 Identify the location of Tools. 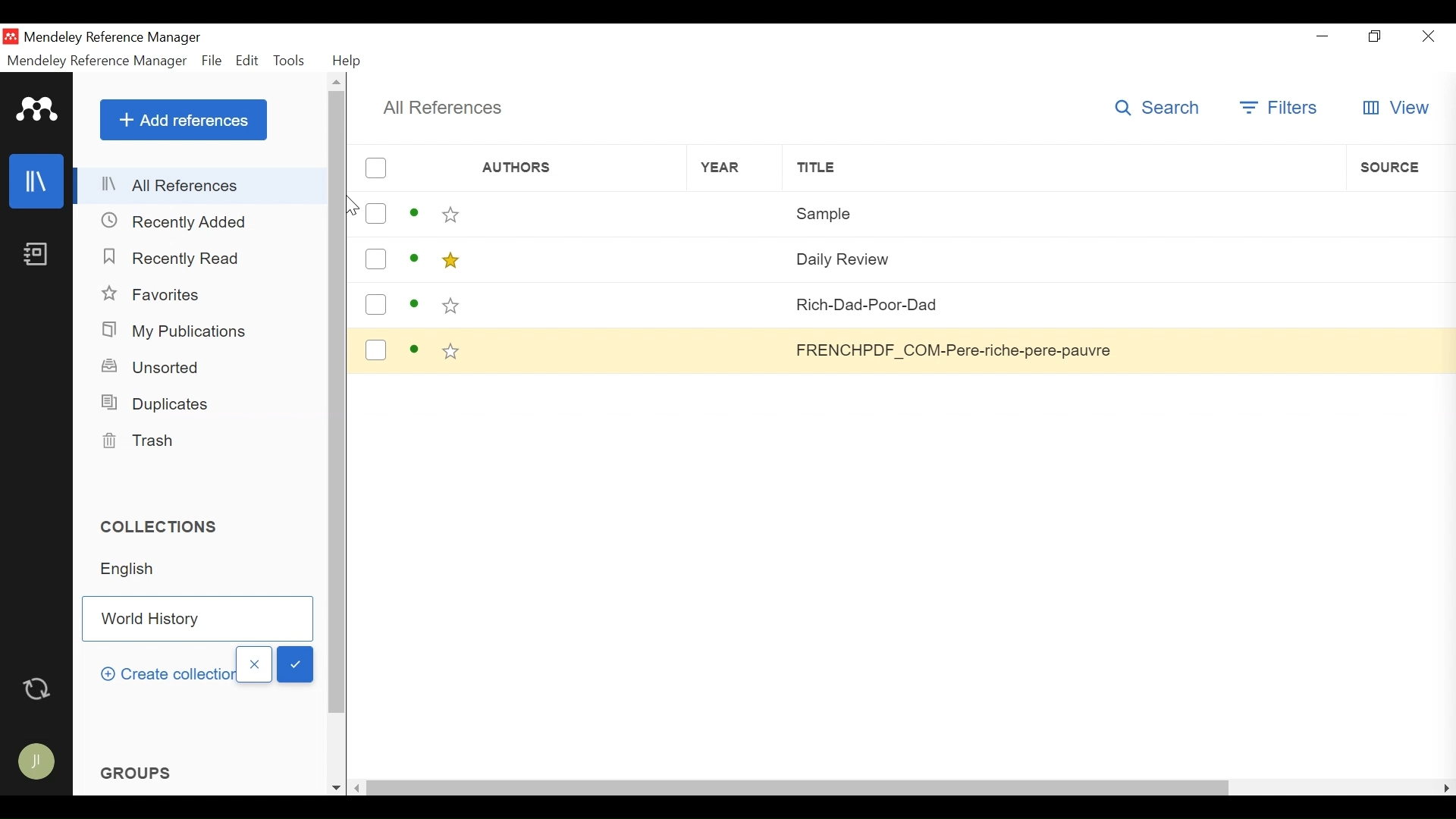
(292, 60).